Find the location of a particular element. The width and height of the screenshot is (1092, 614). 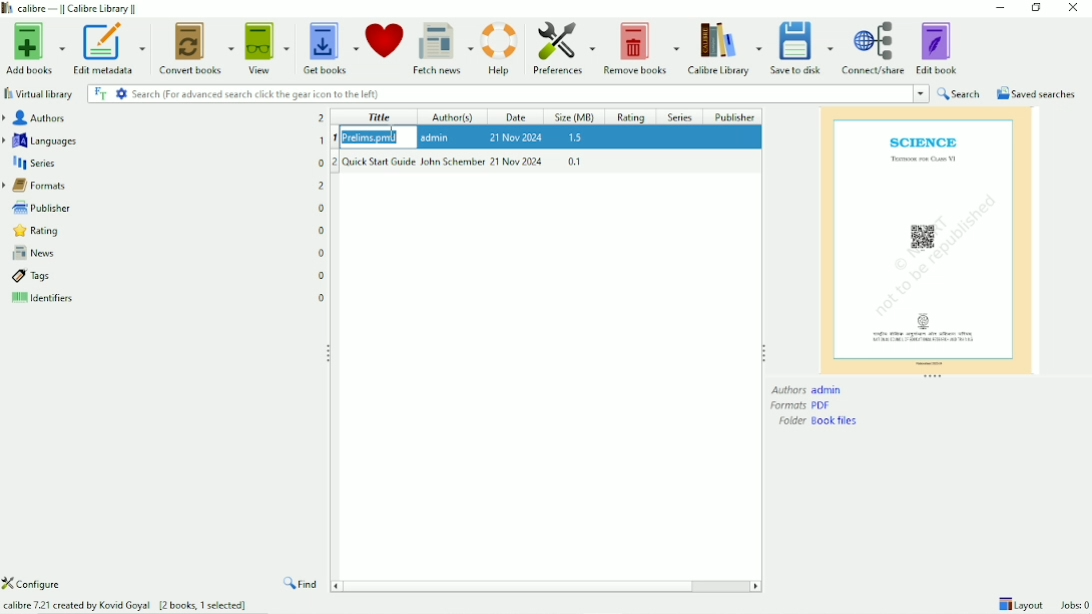

Title is located at coordinates (379, 117).